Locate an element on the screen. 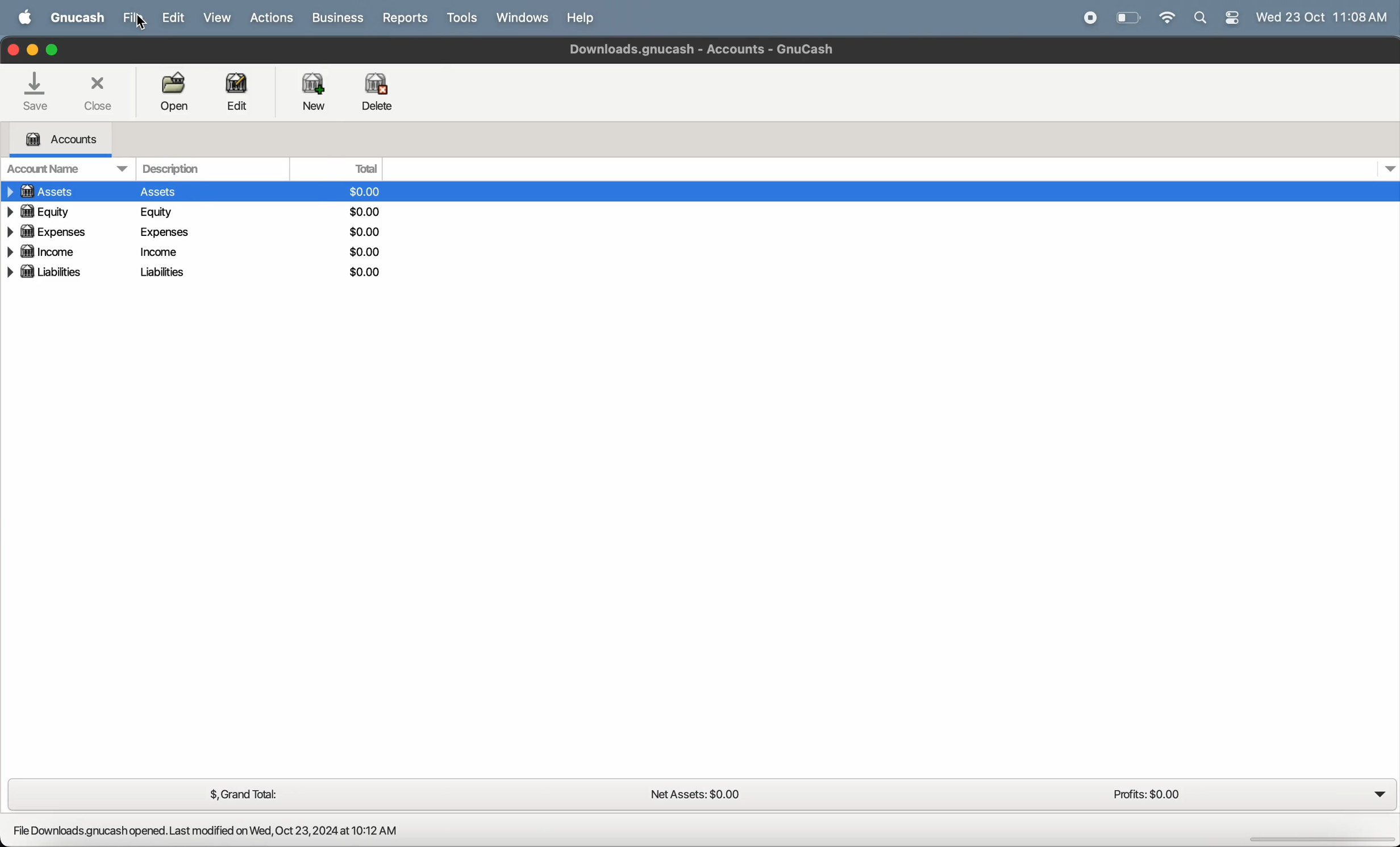 This screenshot has width=1400, height=847. dollars is located at coordinates (364, 213).